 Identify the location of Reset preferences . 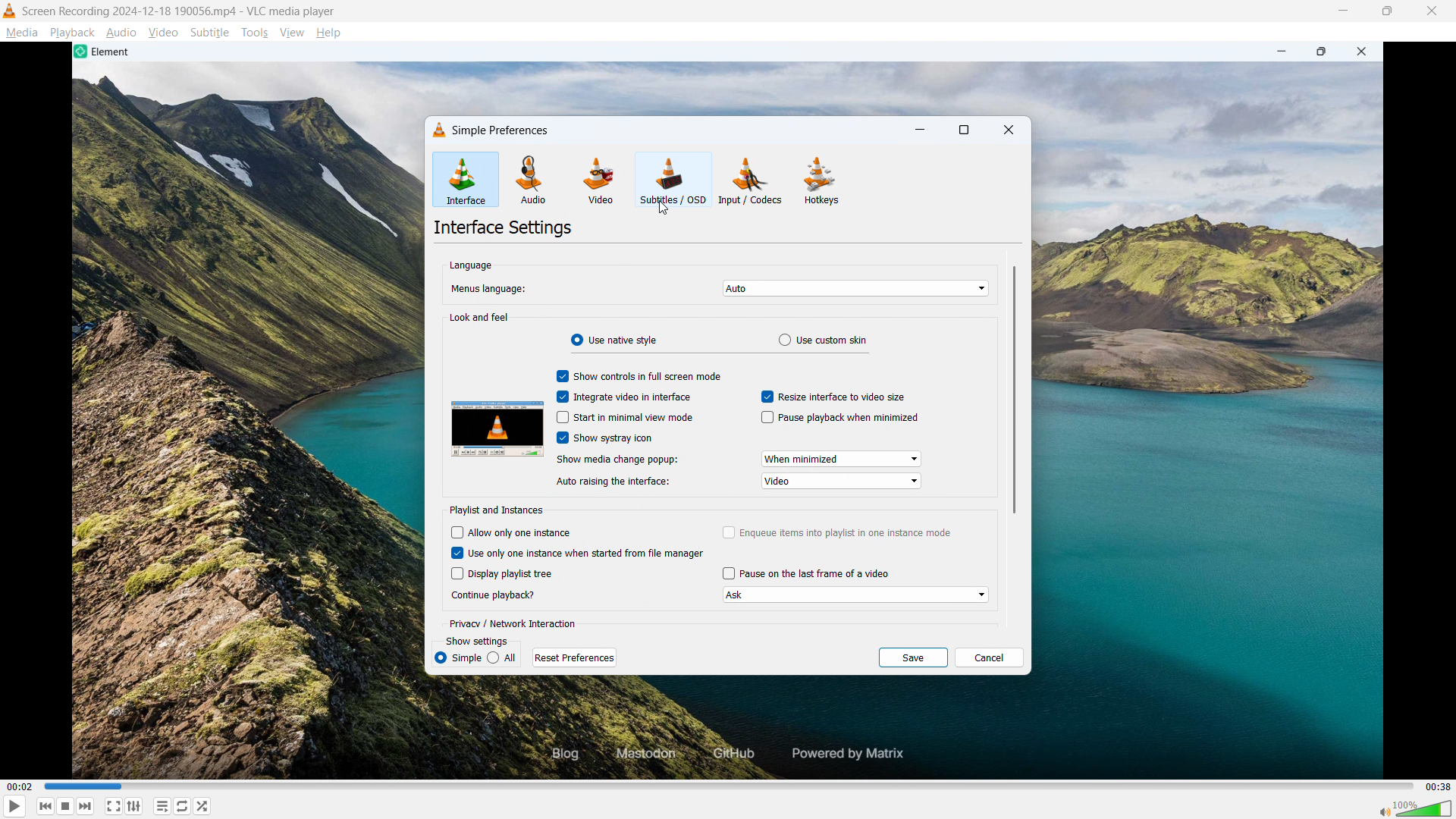
(574, 656).